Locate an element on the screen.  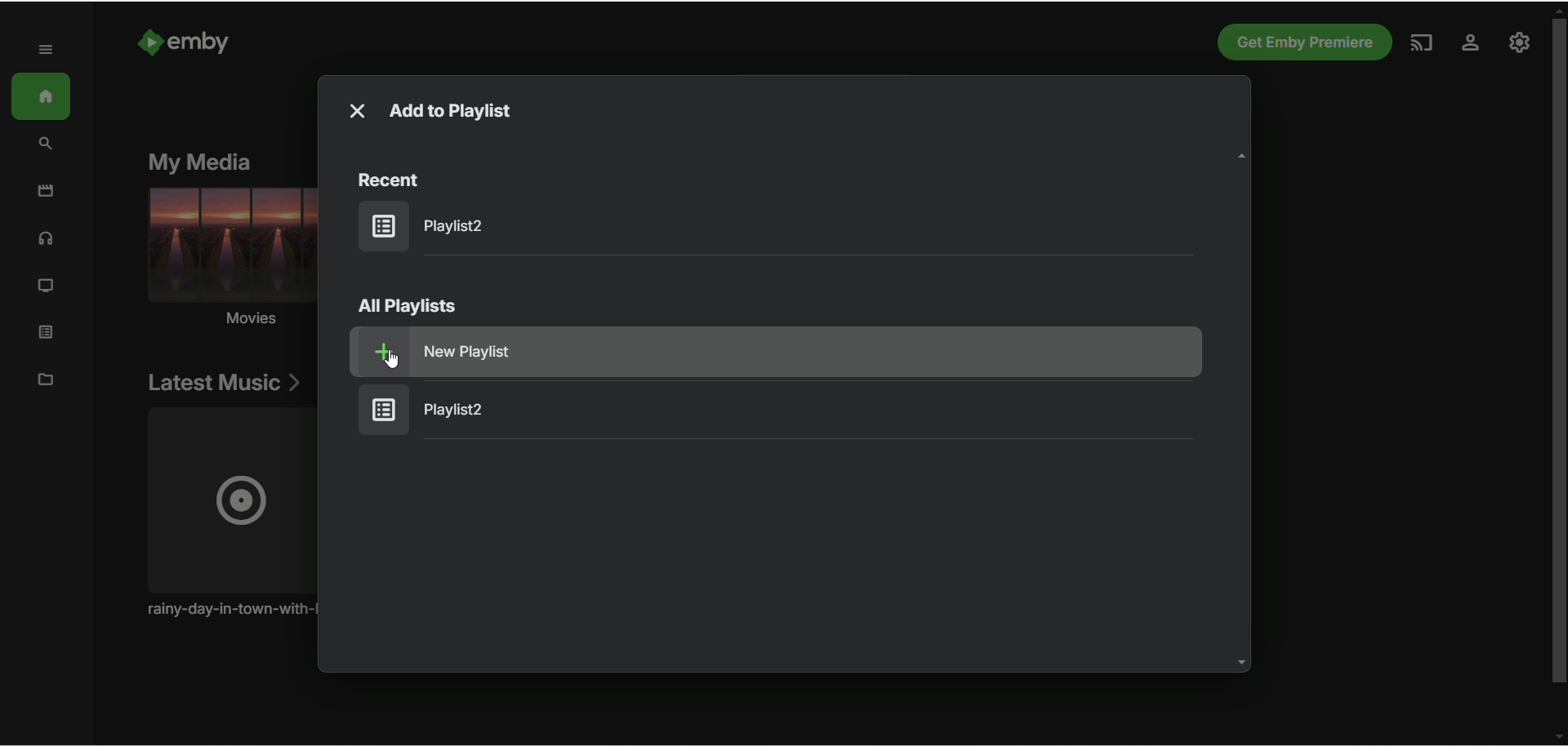
add to playlist is located at coordinates (452, 113).